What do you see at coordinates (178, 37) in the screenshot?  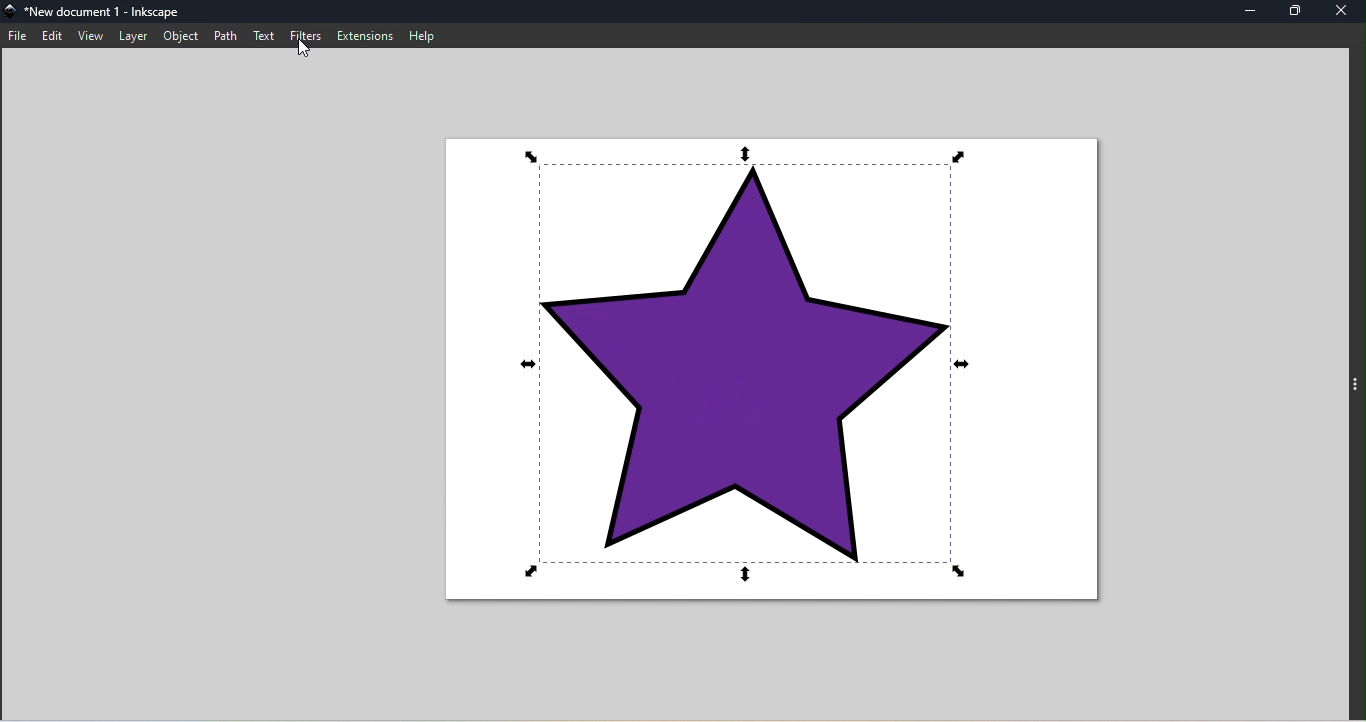 I see `Object` at bounding box center [178, 37].